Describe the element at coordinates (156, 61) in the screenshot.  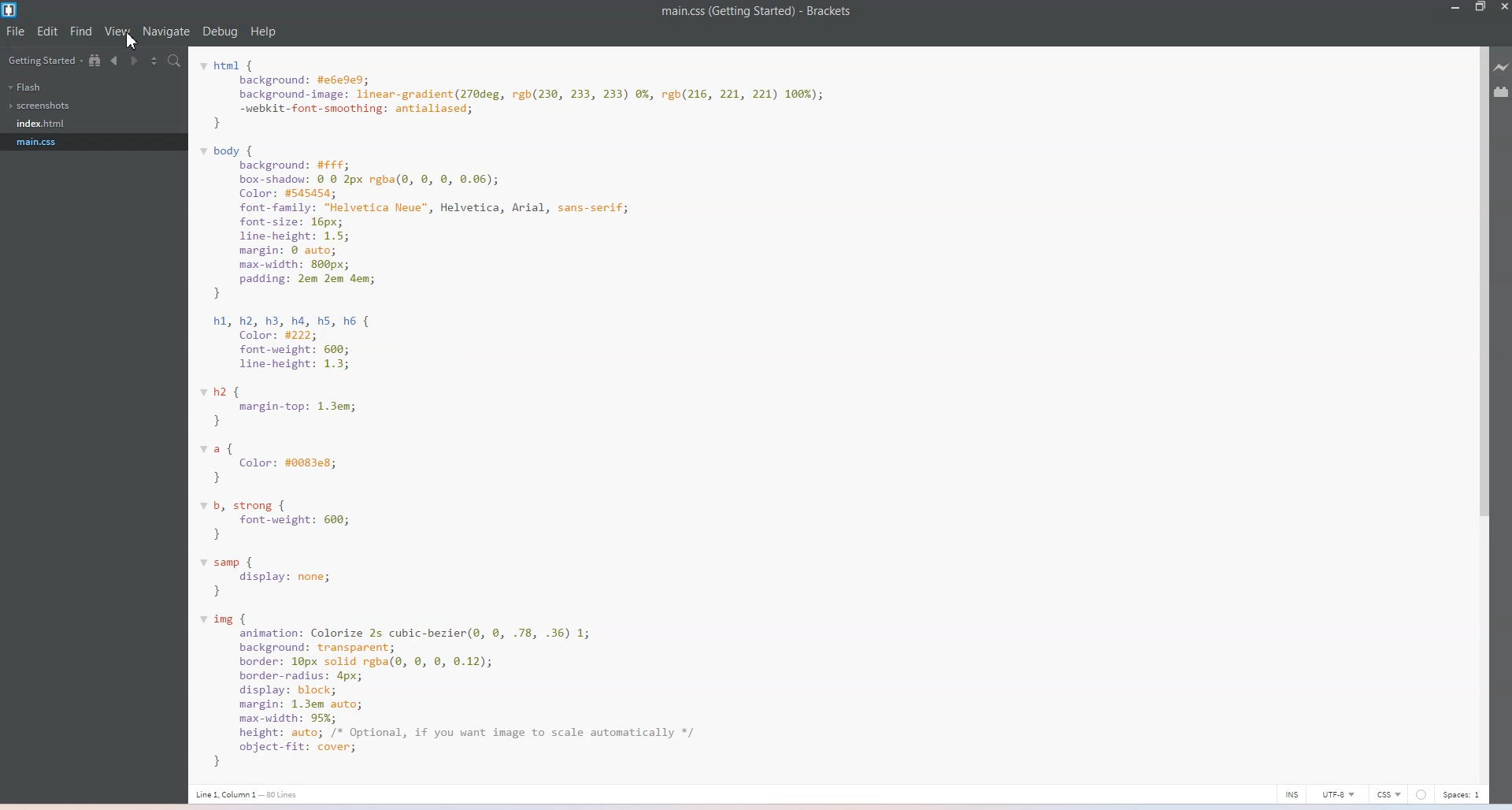
I see `Split screen vertically and Horizontally` at that location.